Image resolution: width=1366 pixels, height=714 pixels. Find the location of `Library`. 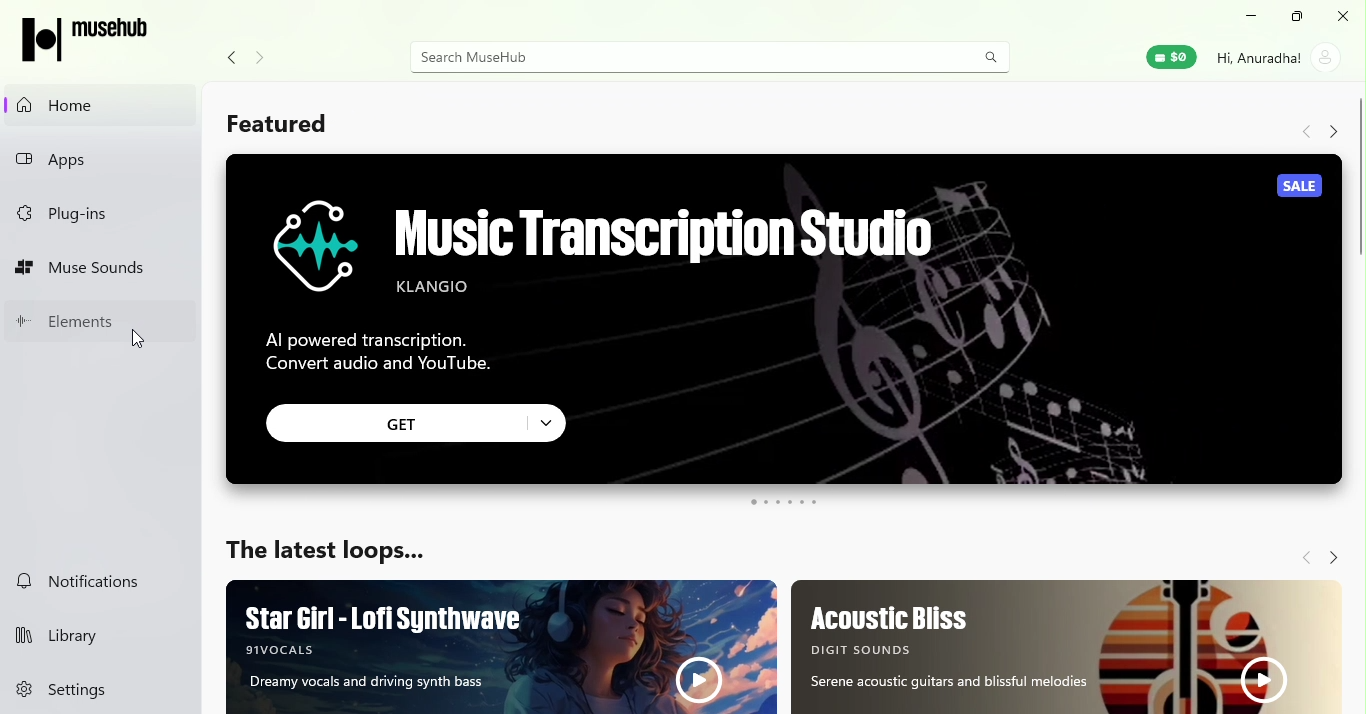

Library is located at coordinates (84, 632).